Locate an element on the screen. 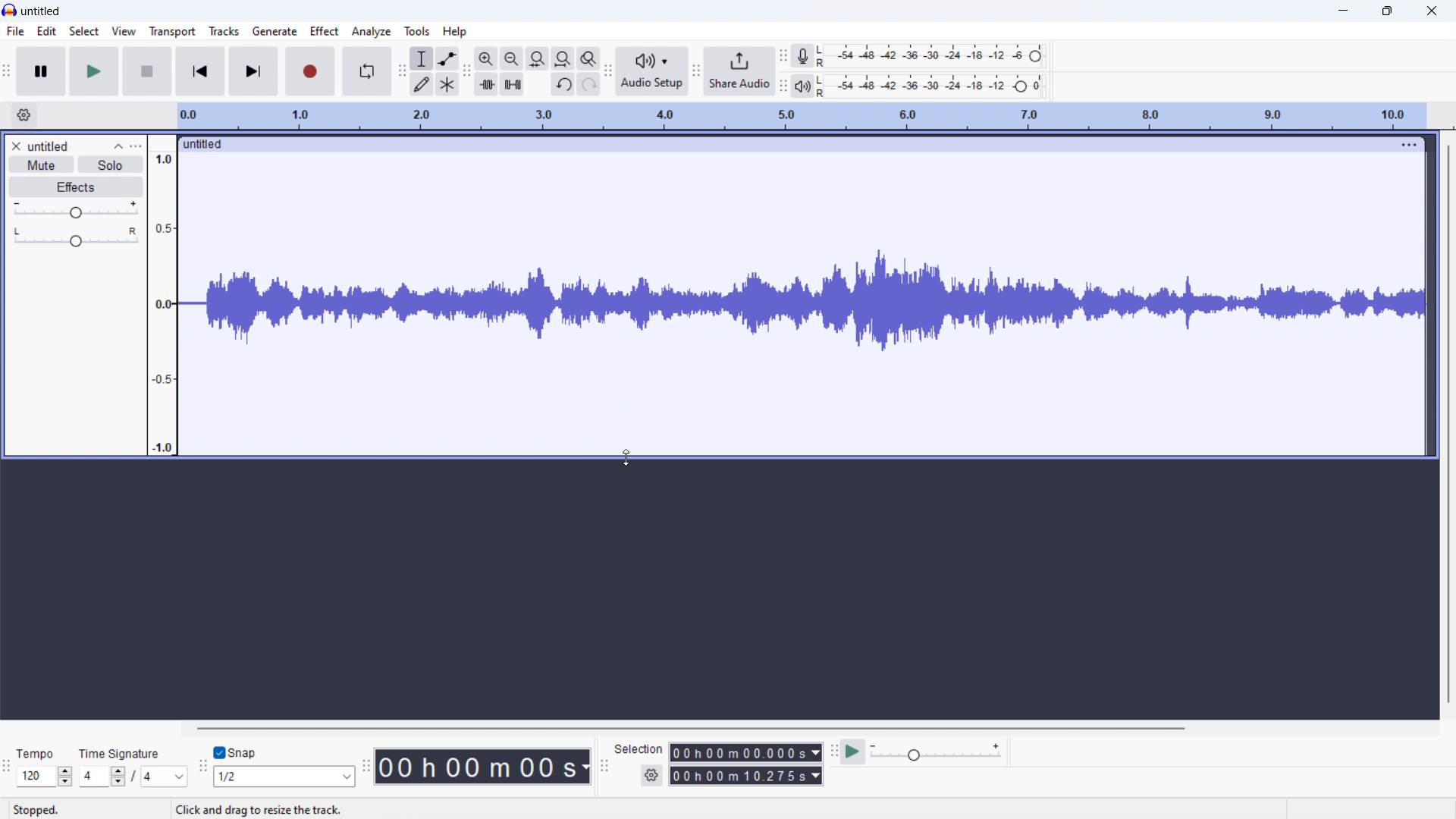 The height and width of the screenshot is (819, 1456). fit project to width is located at coordinates (563, 58).